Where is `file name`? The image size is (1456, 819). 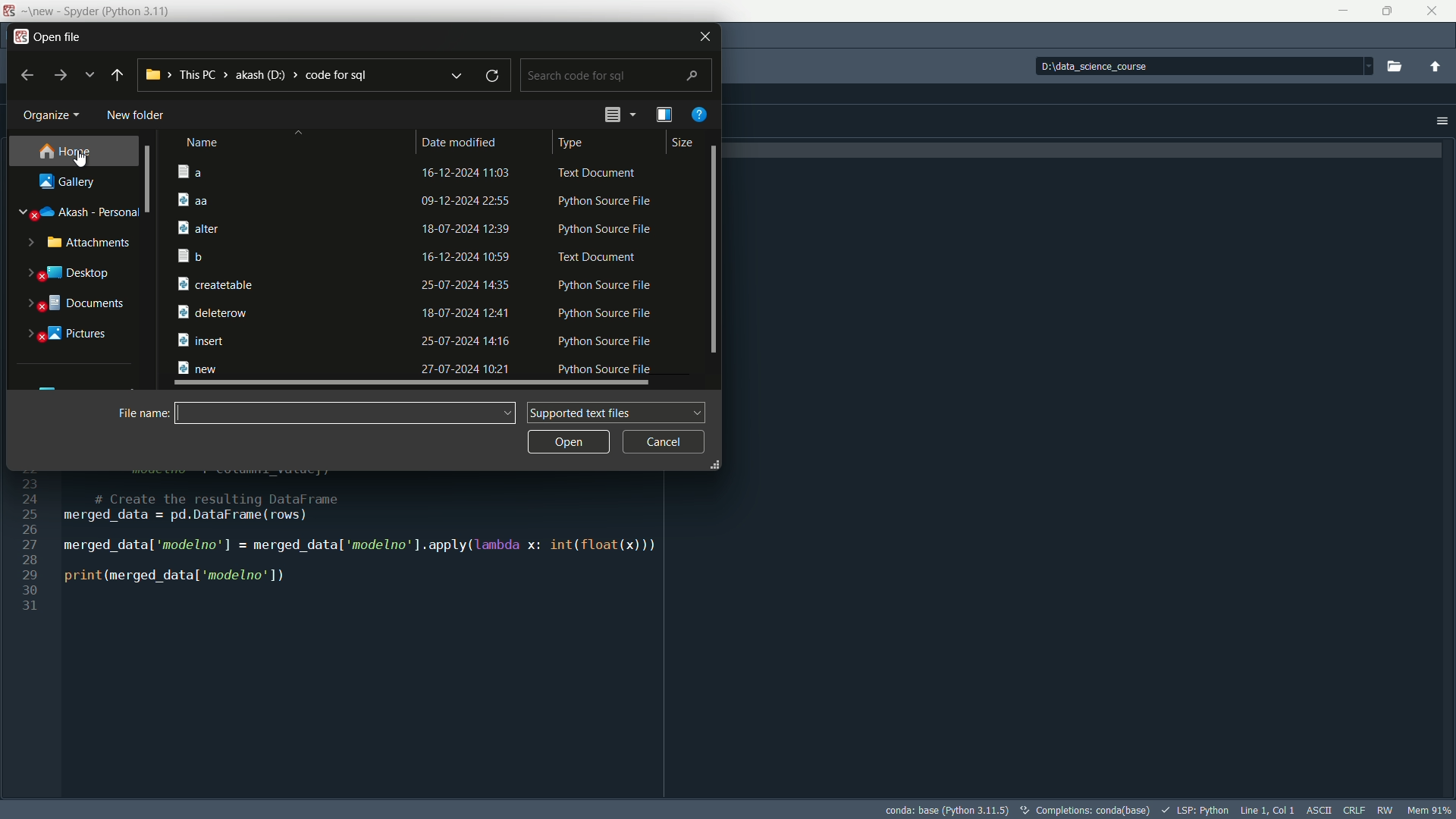 file name is located at coordinates (284, 285).